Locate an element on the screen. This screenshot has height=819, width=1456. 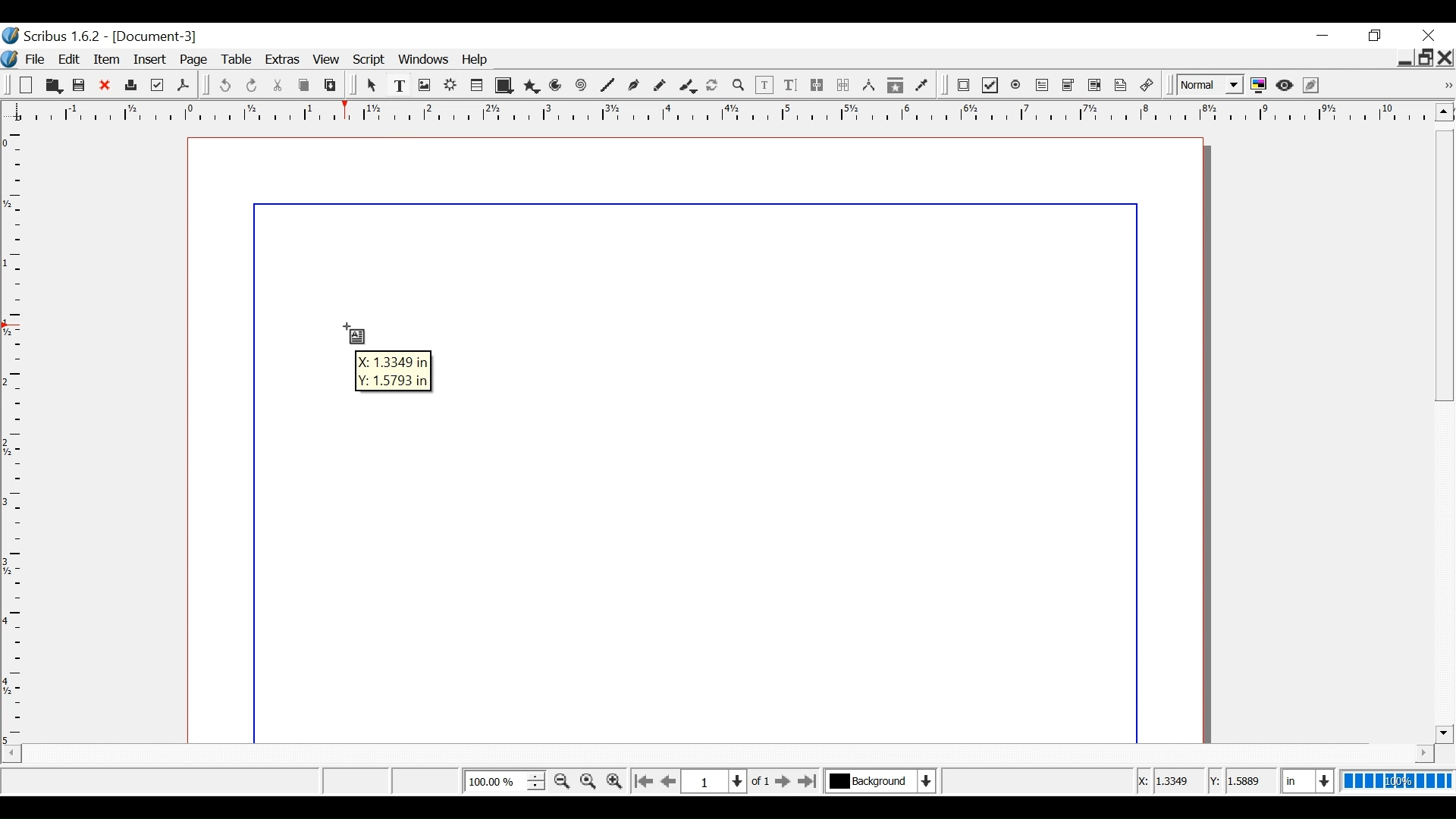
Preview mode is located at coordinates (1286, 85).